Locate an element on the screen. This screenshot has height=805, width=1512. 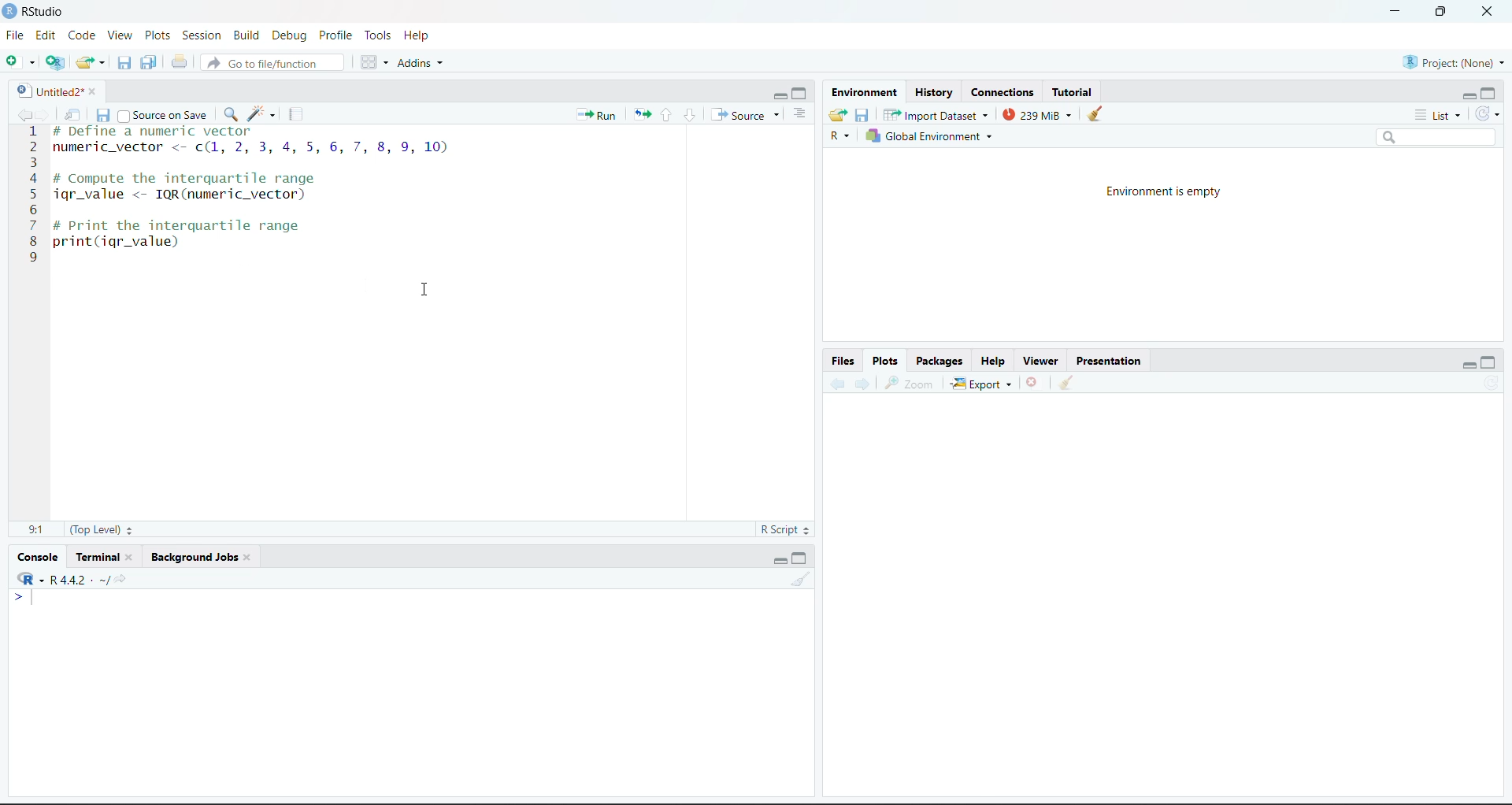
1:1 is located at coordinates (36, 528).